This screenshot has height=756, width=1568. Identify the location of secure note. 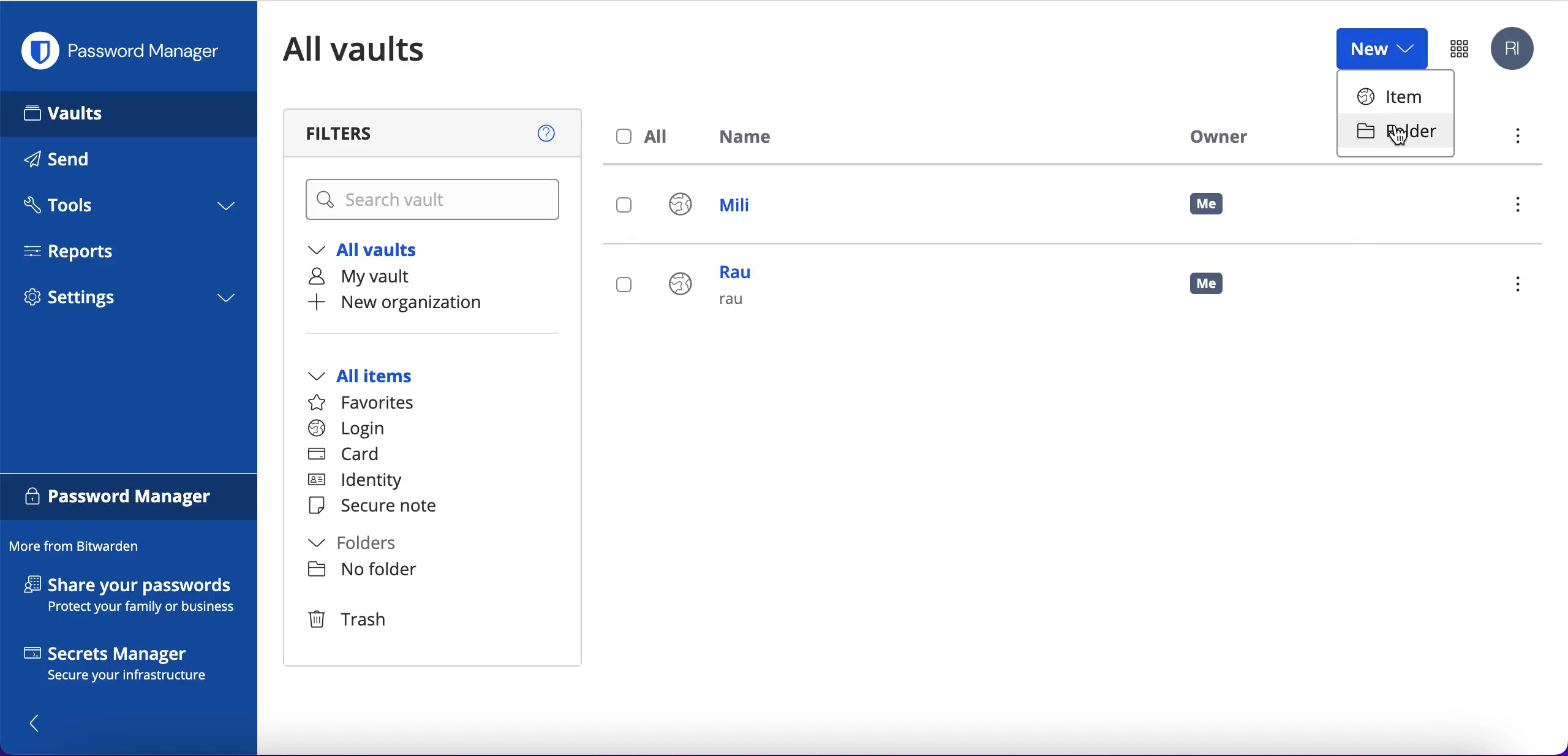
(379, 507).